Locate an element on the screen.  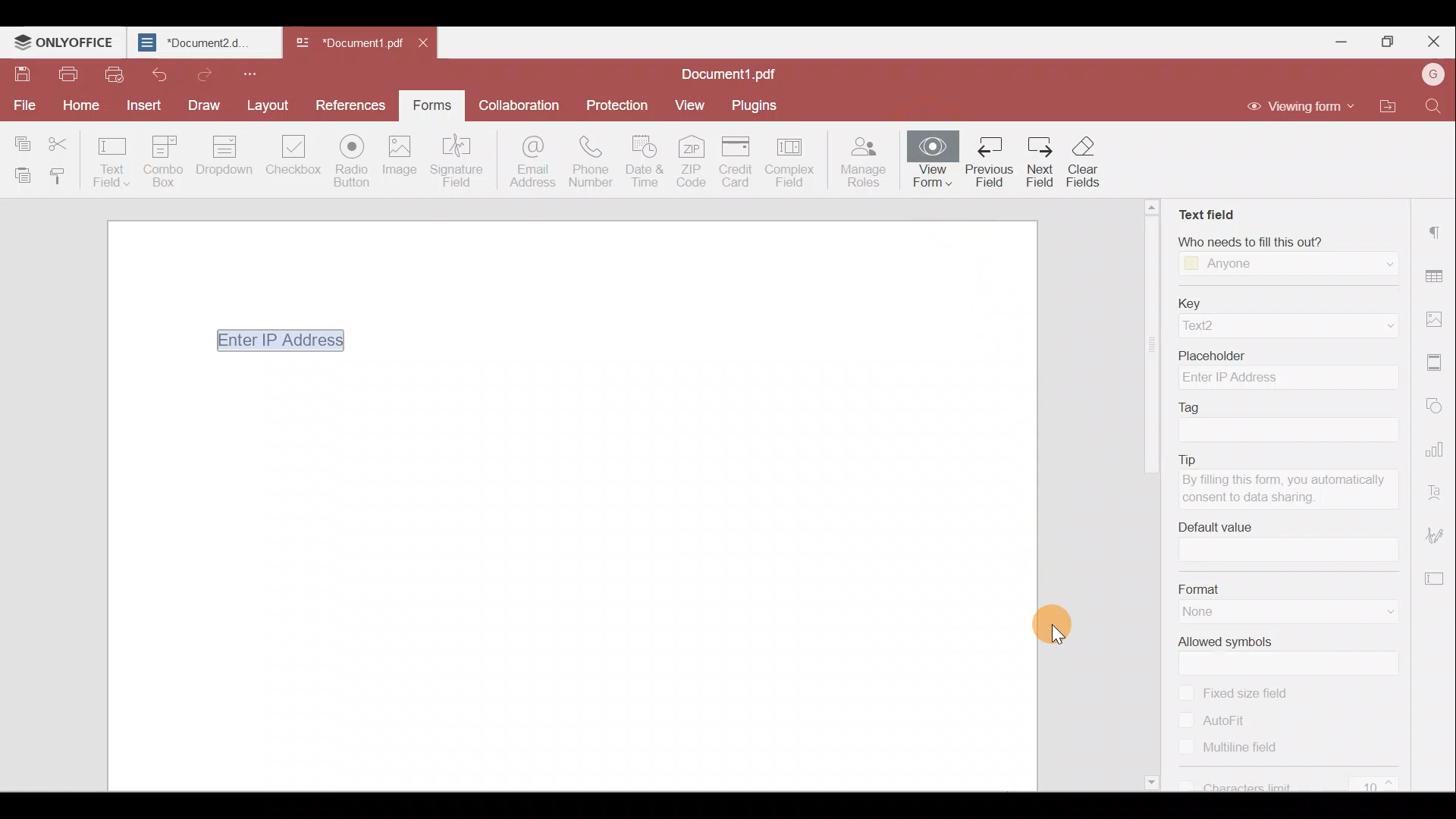
tip filed is located at coordinates (1220, 526).